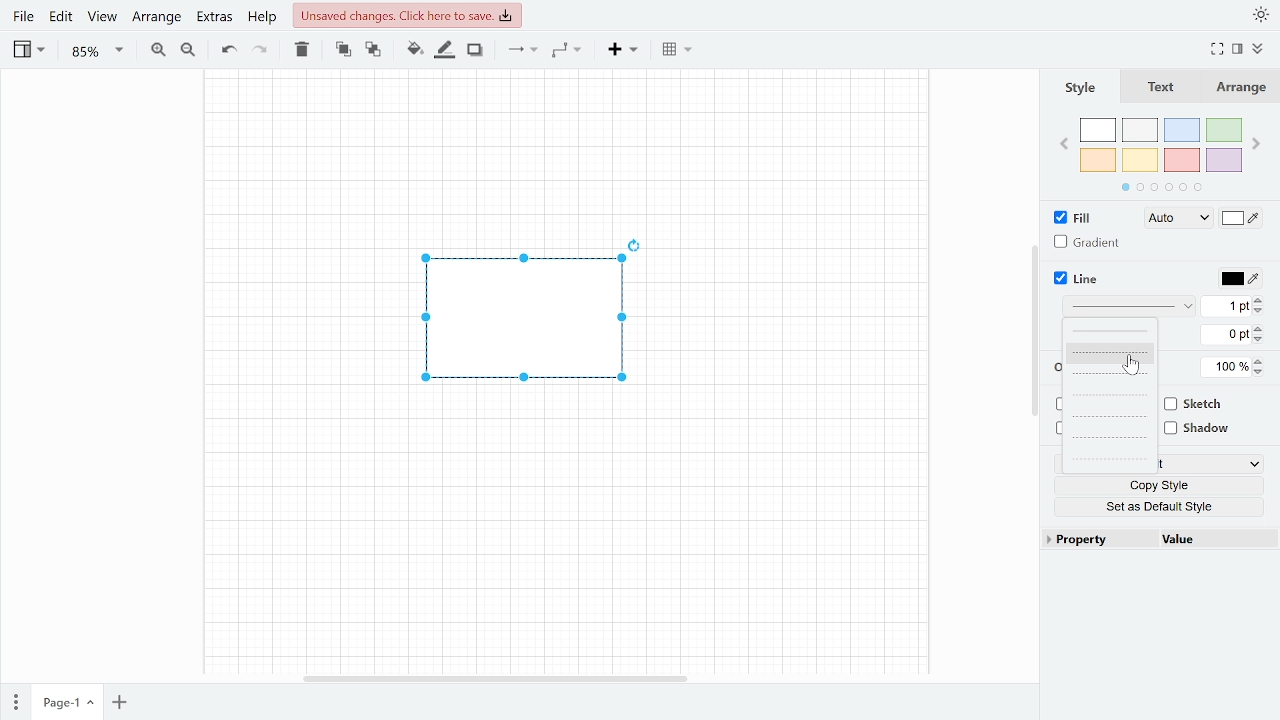 This screenshot has width=1280, height=720. Describe the element at coordinates (1260, 311) in the screenshot. I see `Decrease linewidth` at that location.